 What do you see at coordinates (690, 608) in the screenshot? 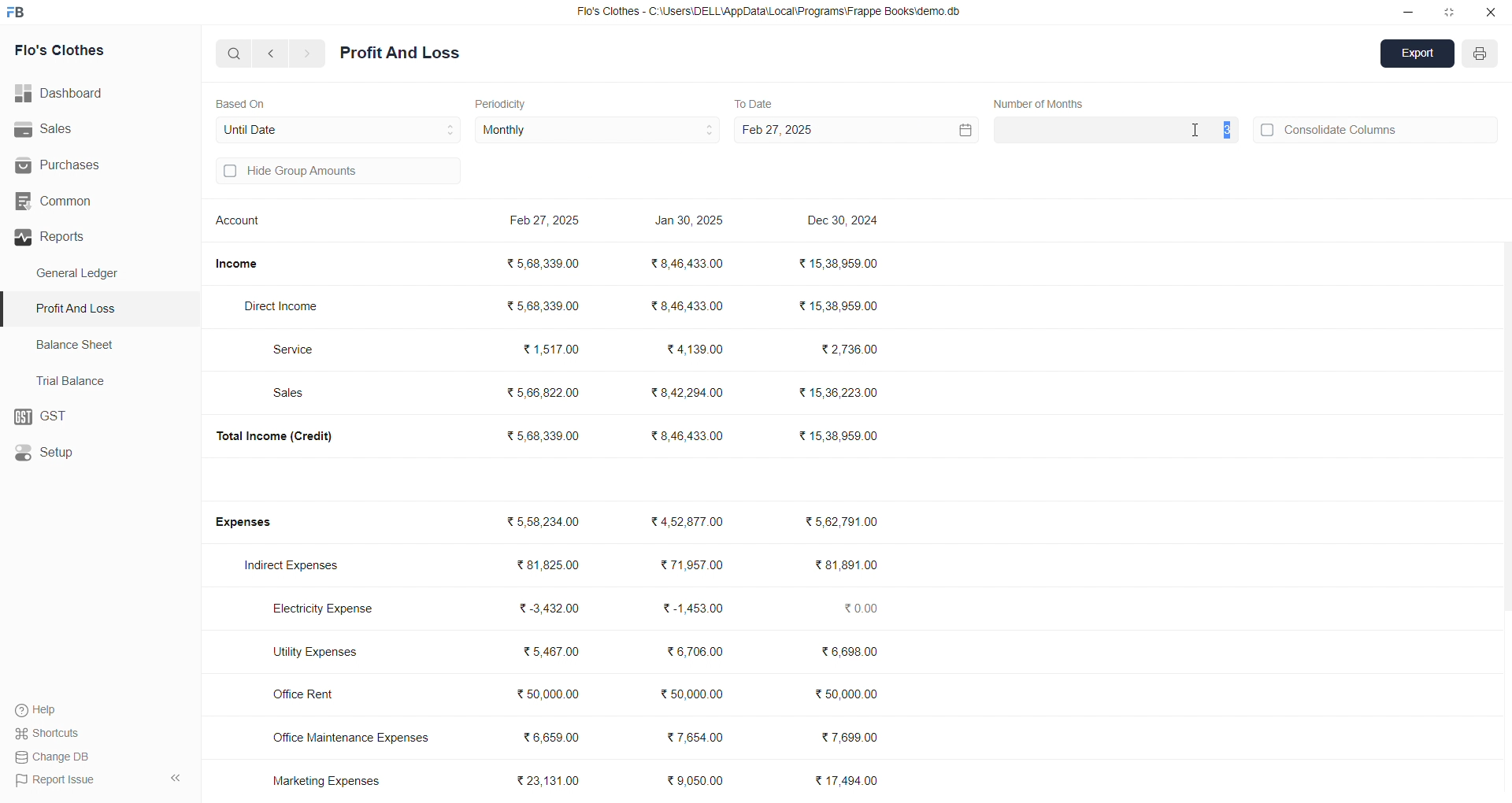
I see `₹-1,453.00` at bounding box center [690, 608].